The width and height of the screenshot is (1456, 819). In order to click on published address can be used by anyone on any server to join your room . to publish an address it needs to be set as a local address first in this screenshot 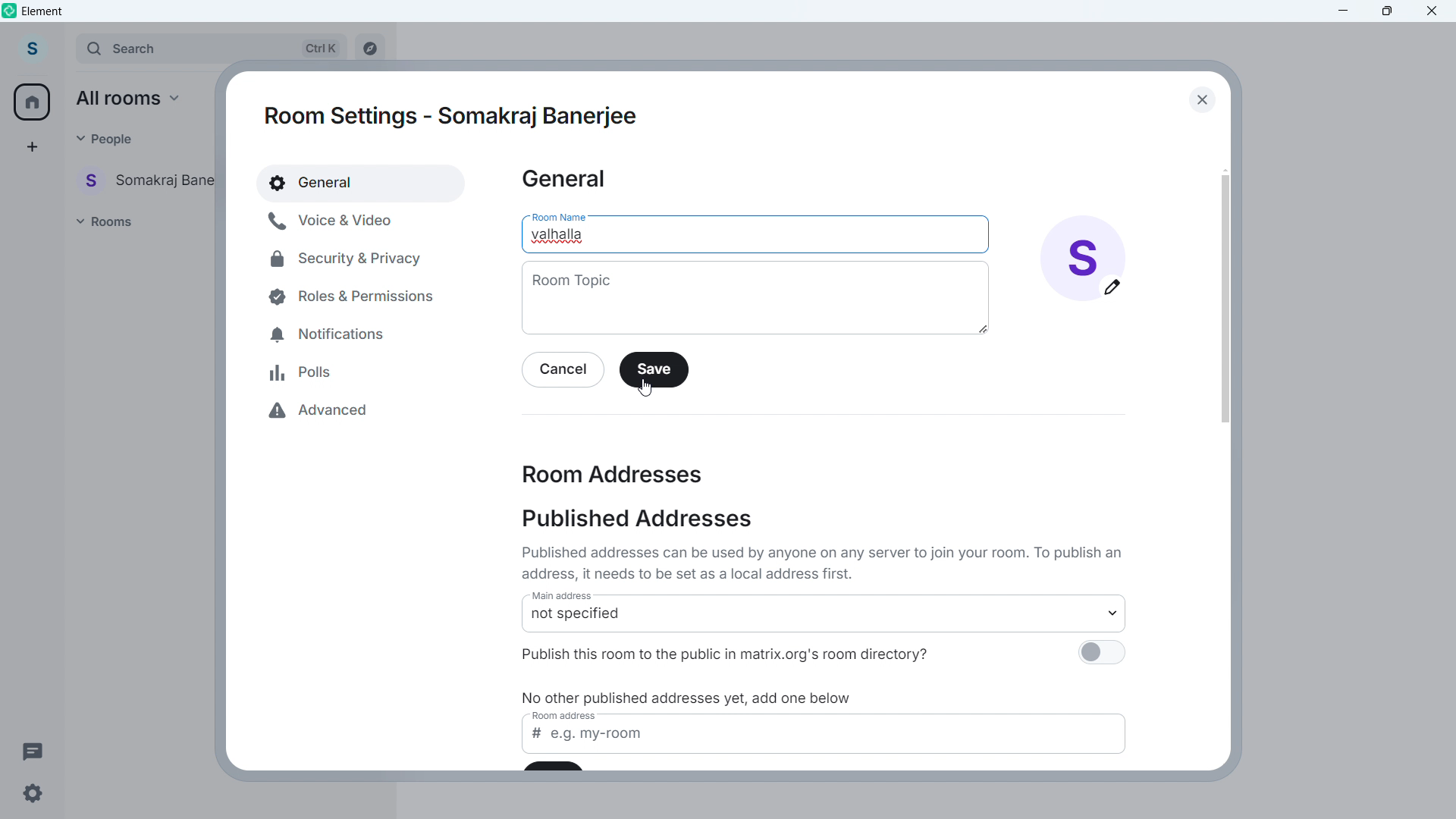, I will do `click(826, 563)`.